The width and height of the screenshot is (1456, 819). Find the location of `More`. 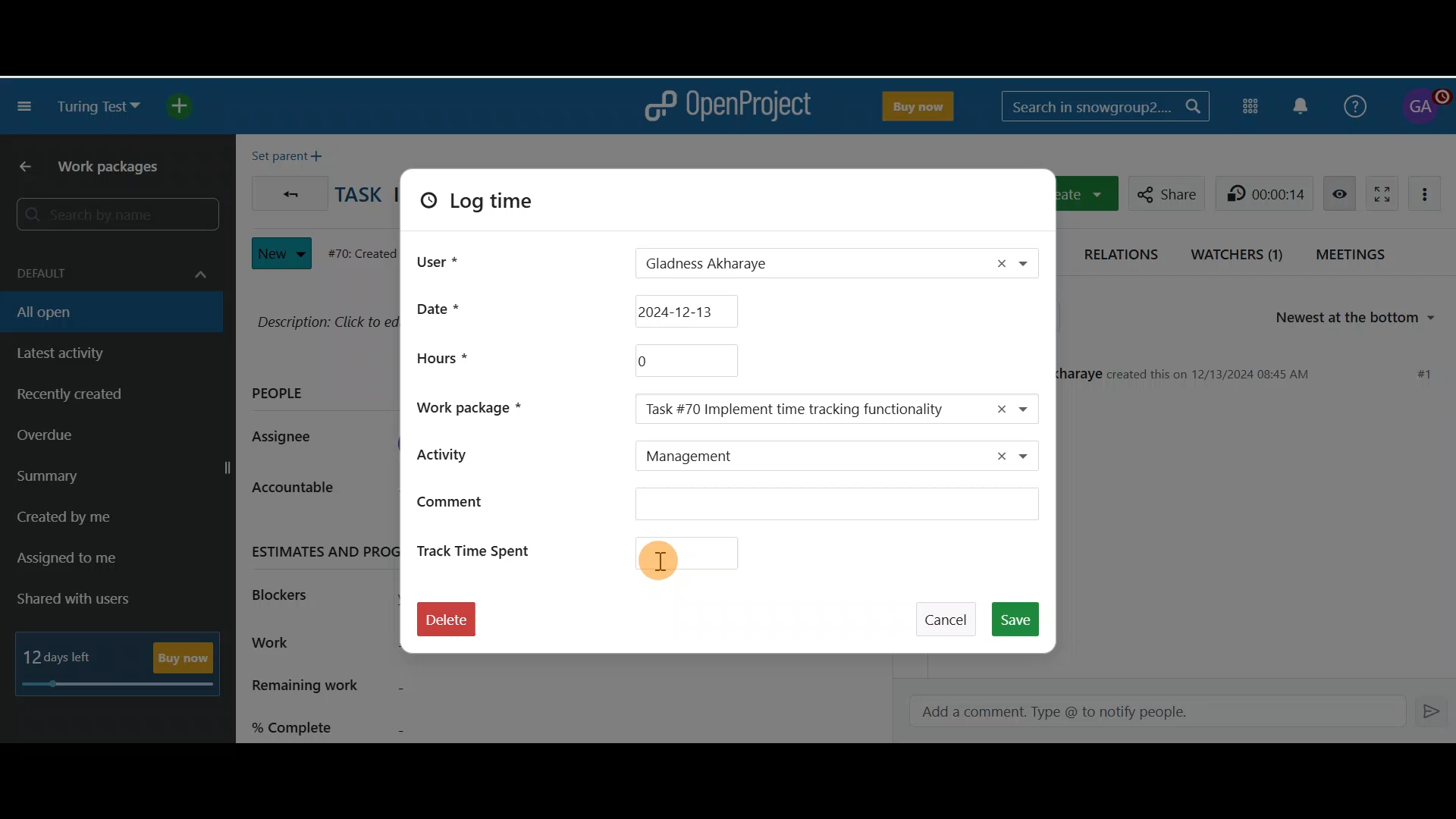

More is located at coordinates (1429, 192).